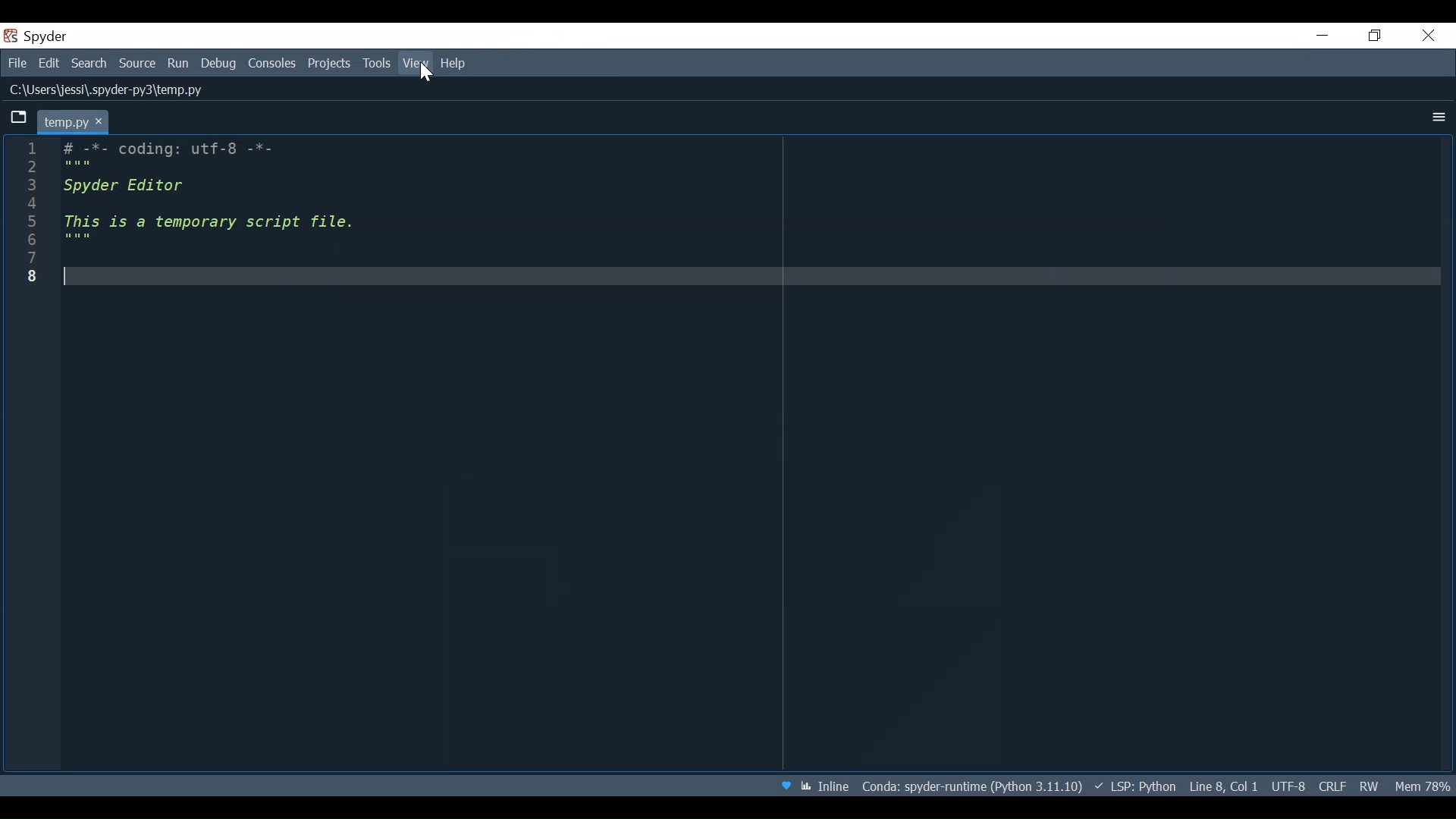  Describe the element at coordinates (971, 785) in the screenshot. I see `Conda Environment Indicator` at that location.